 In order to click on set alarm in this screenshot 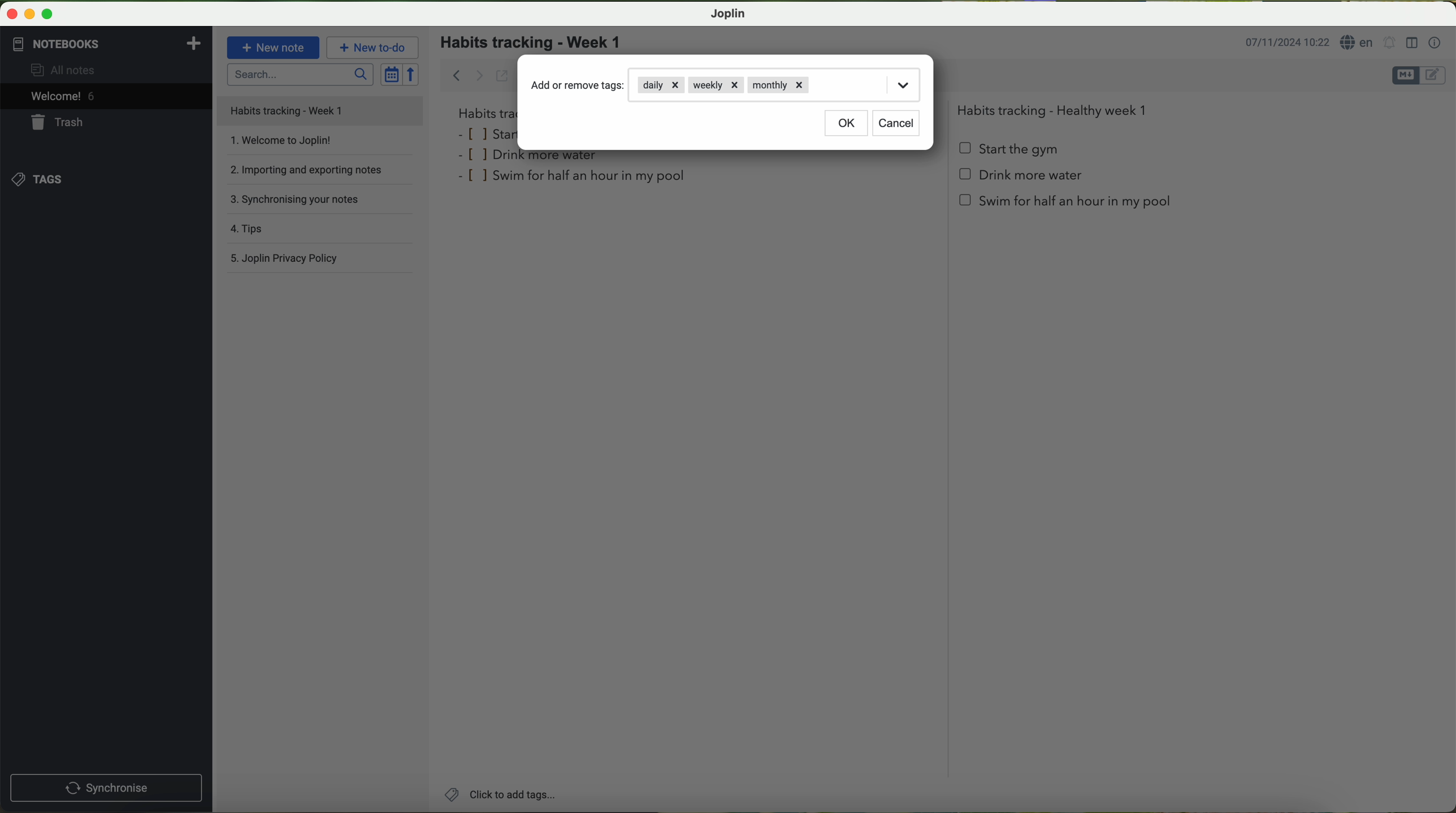, I will do `click(1390, 42)`.